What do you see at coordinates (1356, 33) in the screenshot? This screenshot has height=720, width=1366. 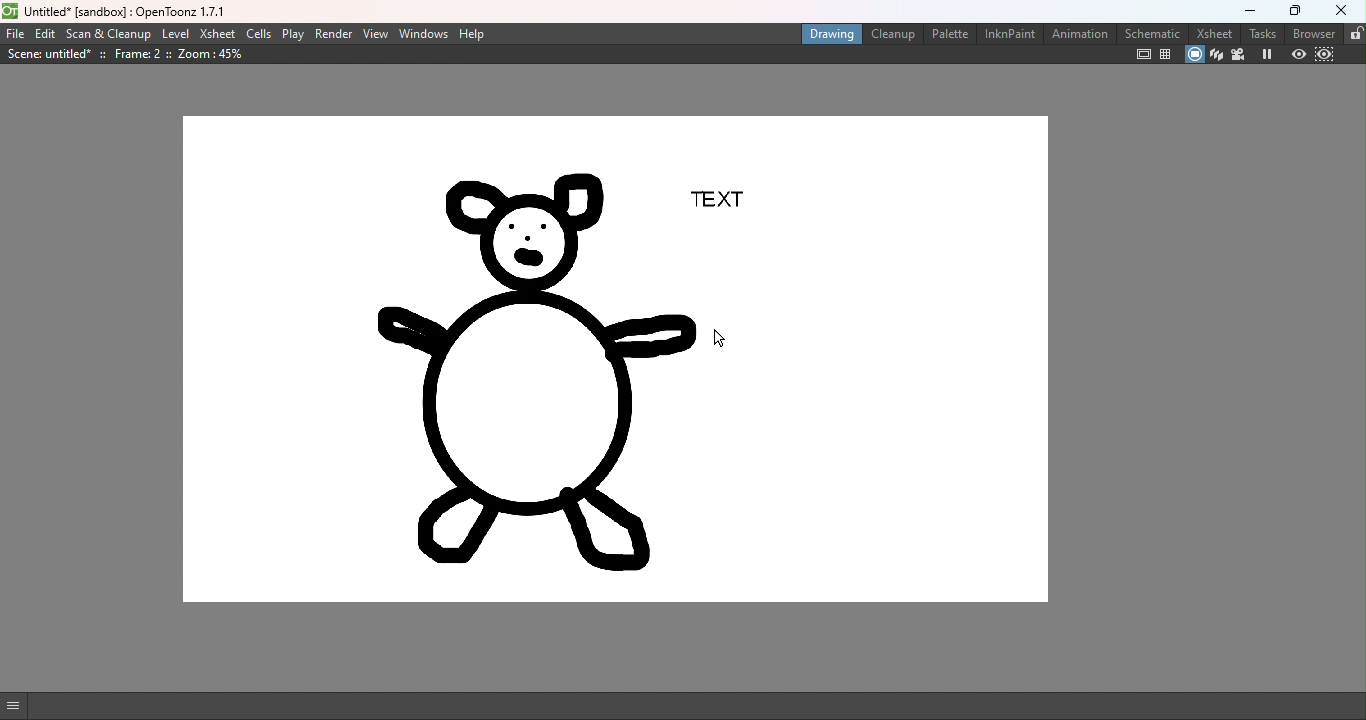 I see `Rooms tab` at bounding box center [1356, 33].